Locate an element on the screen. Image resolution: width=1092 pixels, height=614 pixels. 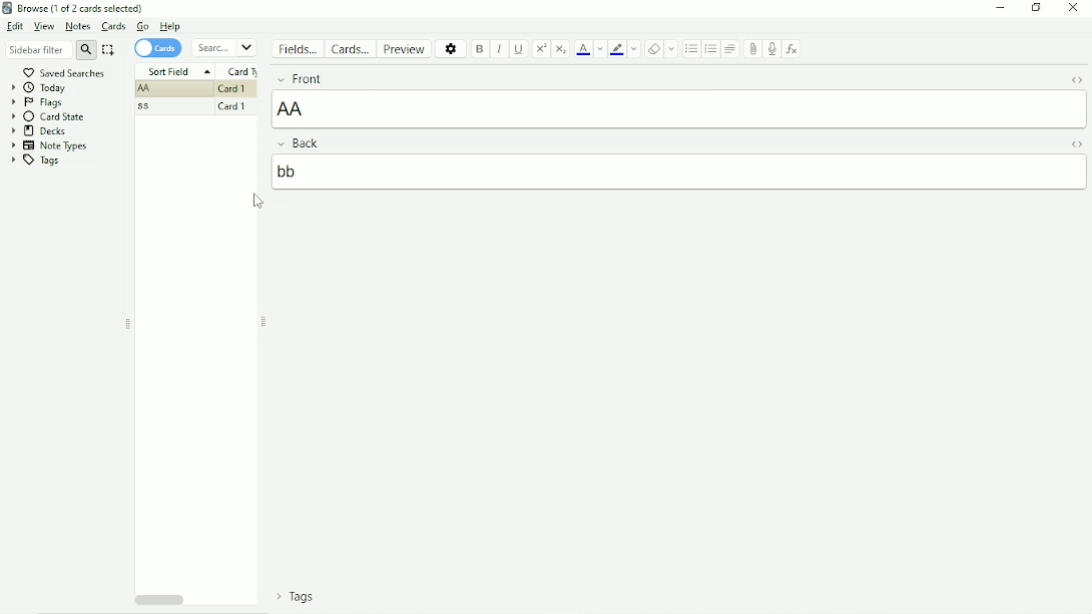
Bold is located at coordinates (481, 49).